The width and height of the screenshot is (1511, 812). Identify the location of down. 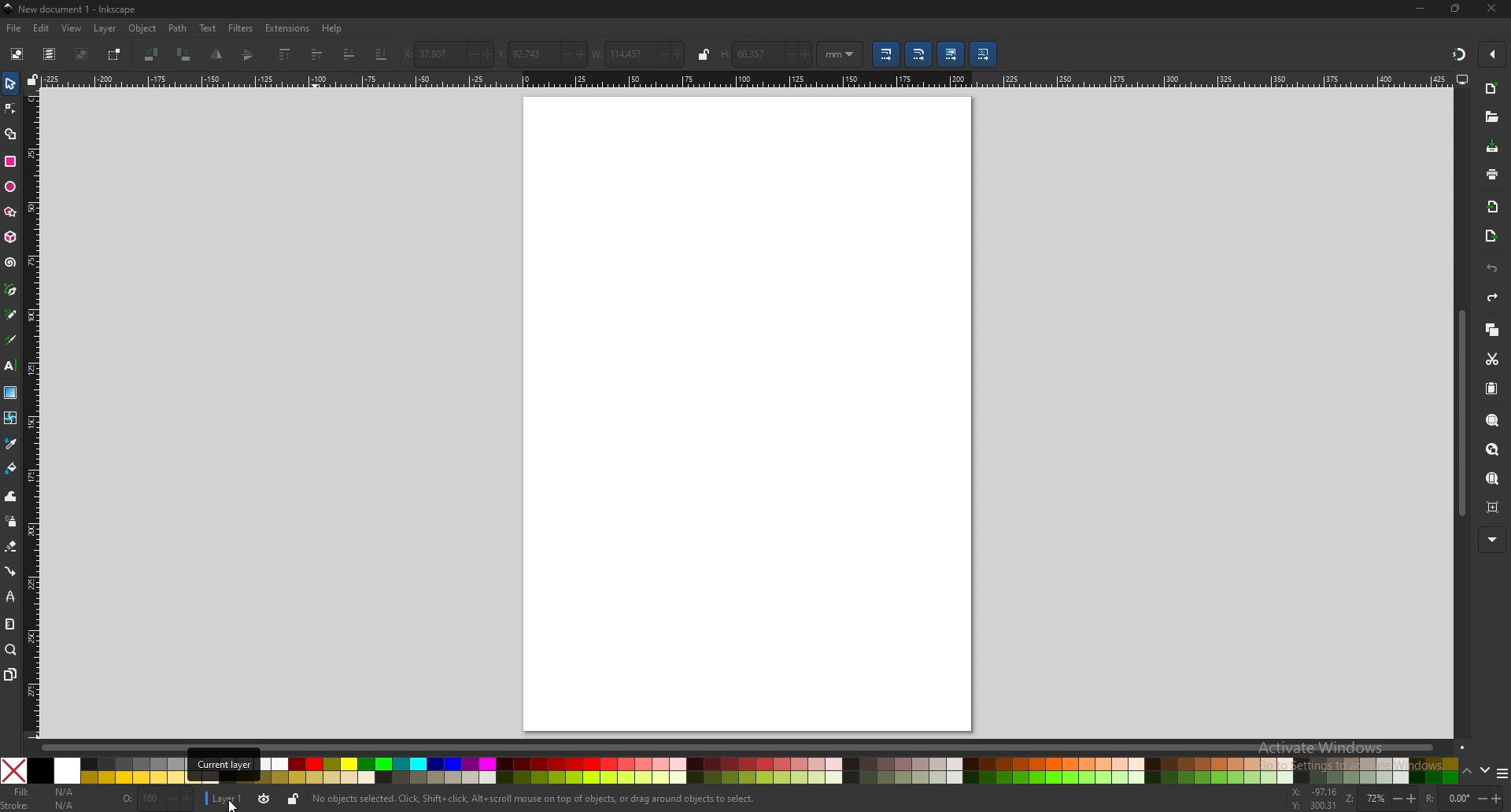
(1483, 770).